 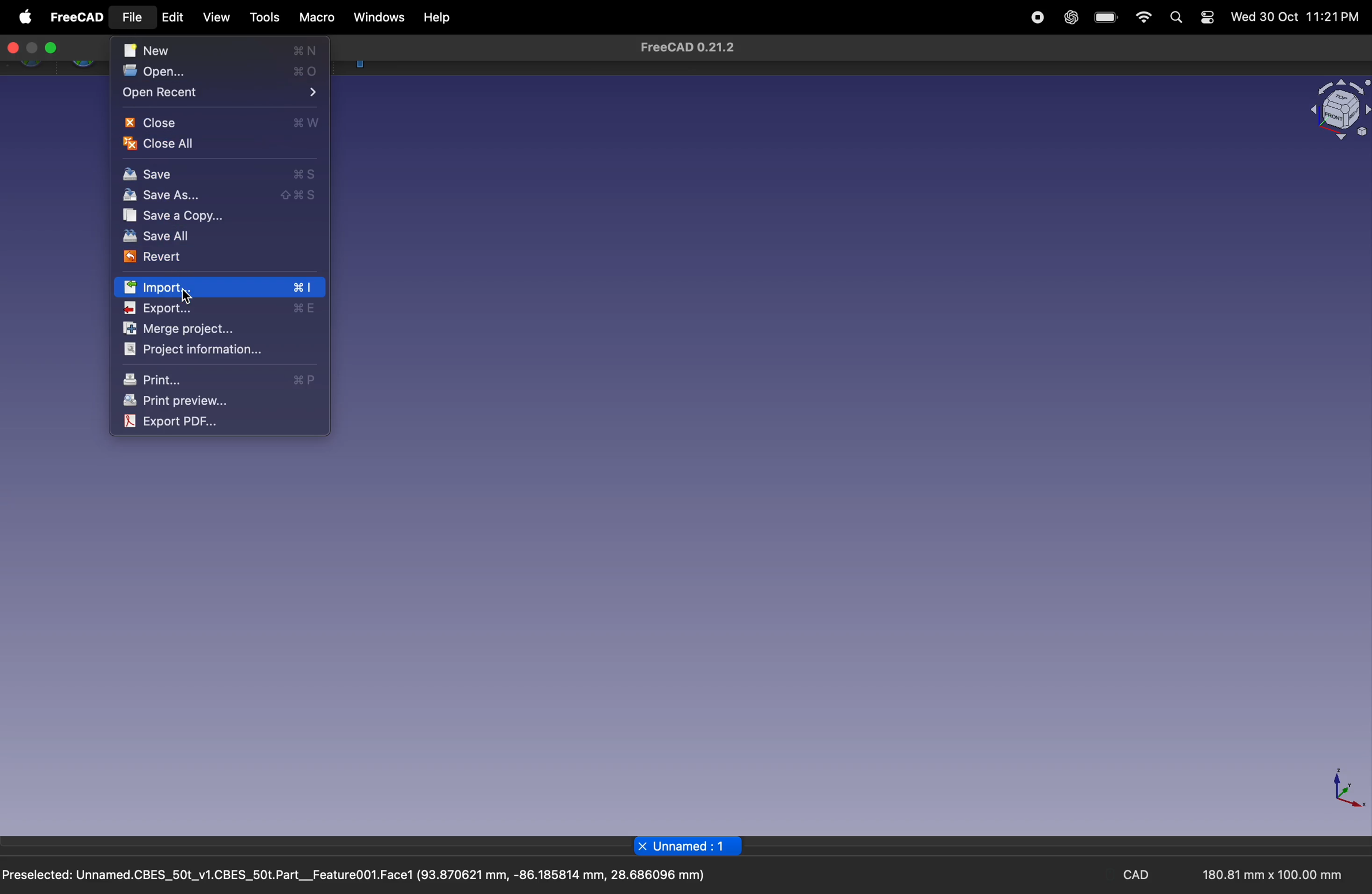 What do you see at coordinates (214, 401) in the screenshot?
I see `print reviews` at bounding box center [214, 401].